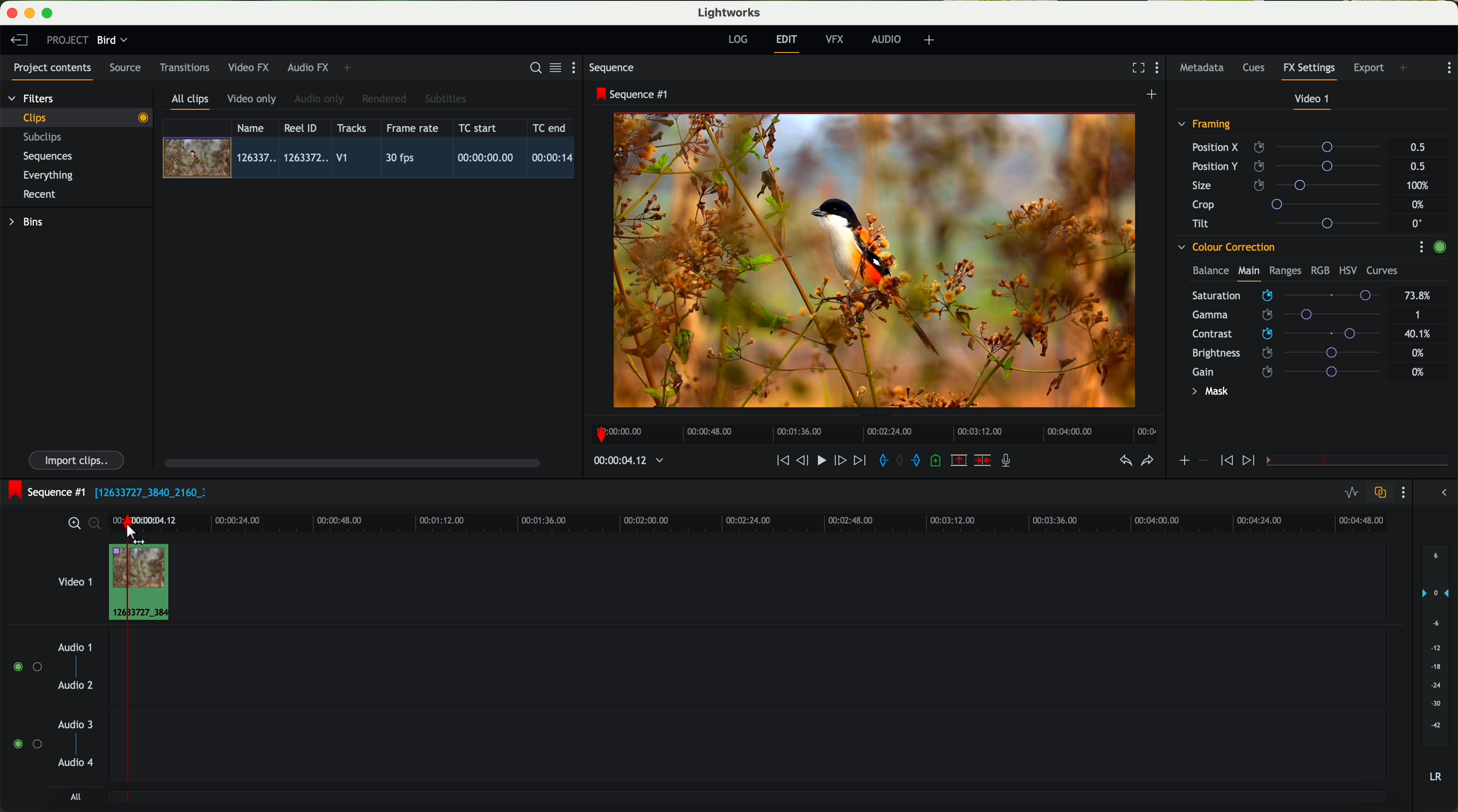 This screenshot has height=812, width=1458. Describe the element at coordinates (444, 99) in the screenshot. I see `subtitles` at that location.